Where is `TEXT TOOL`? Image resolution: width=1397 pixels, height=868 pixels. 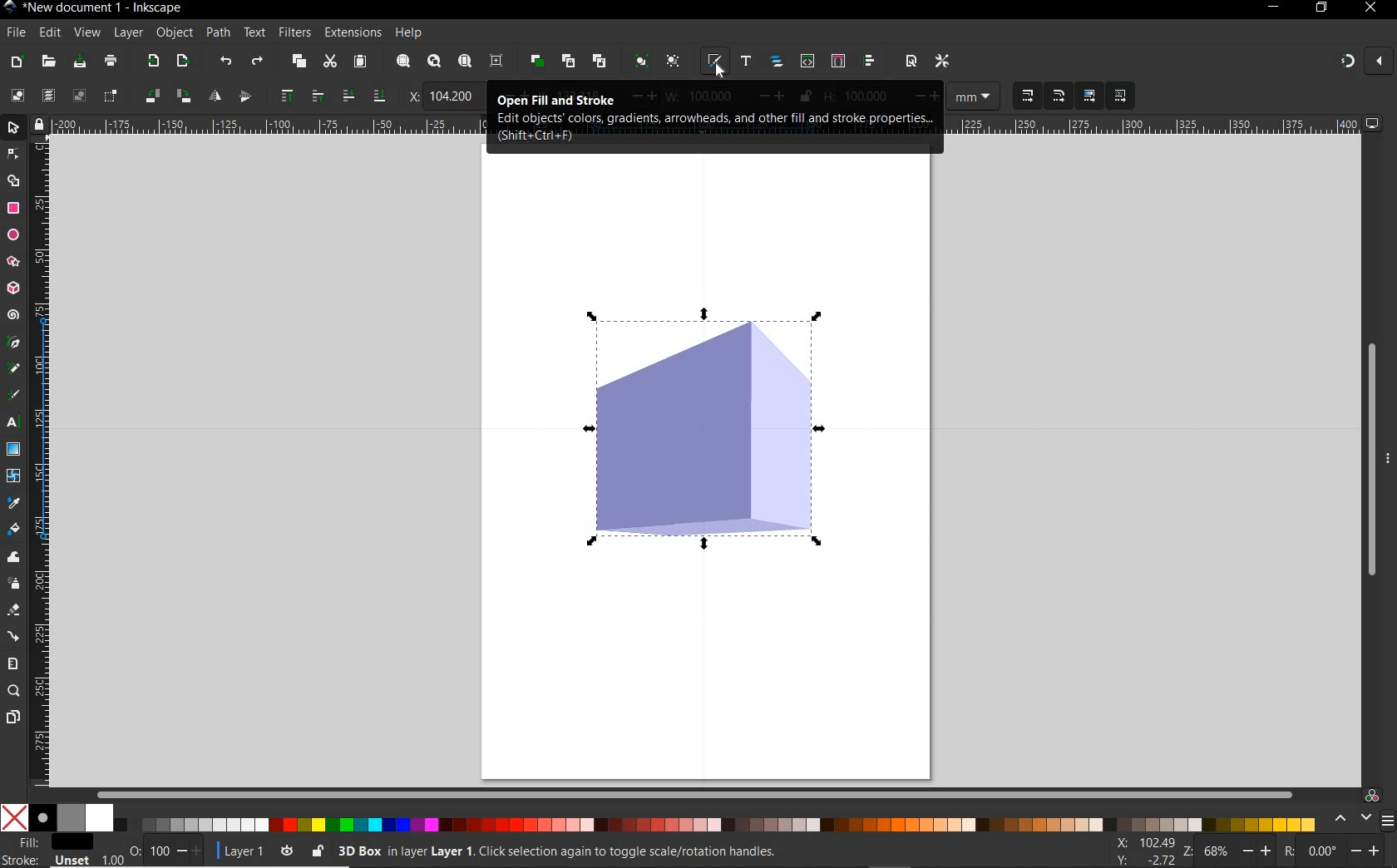
TEXT TOOL is located at coordinates (12, 425).